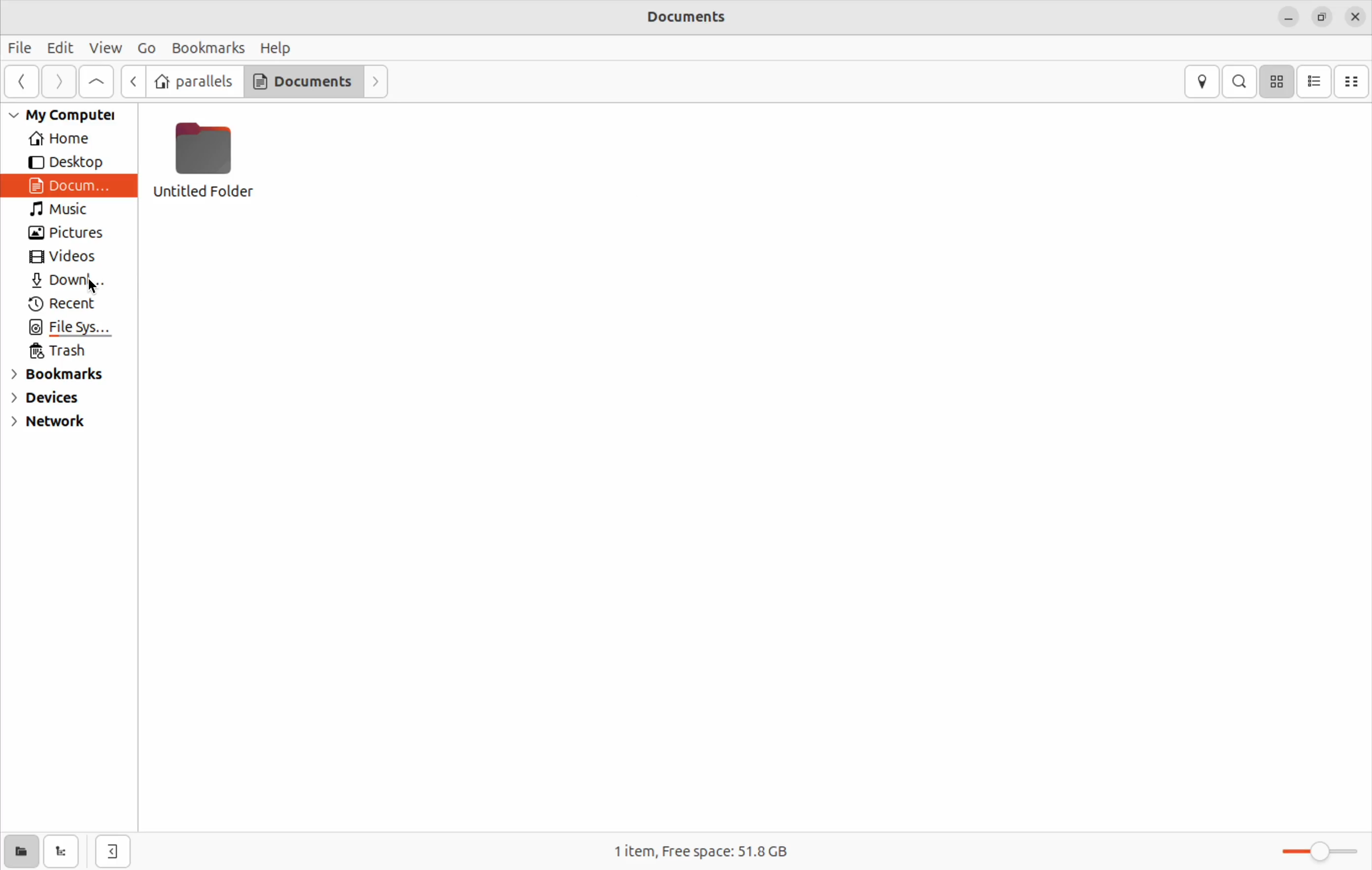 This screenshot has height=870, width=1372. I want to click on file system, so click(64, 330).